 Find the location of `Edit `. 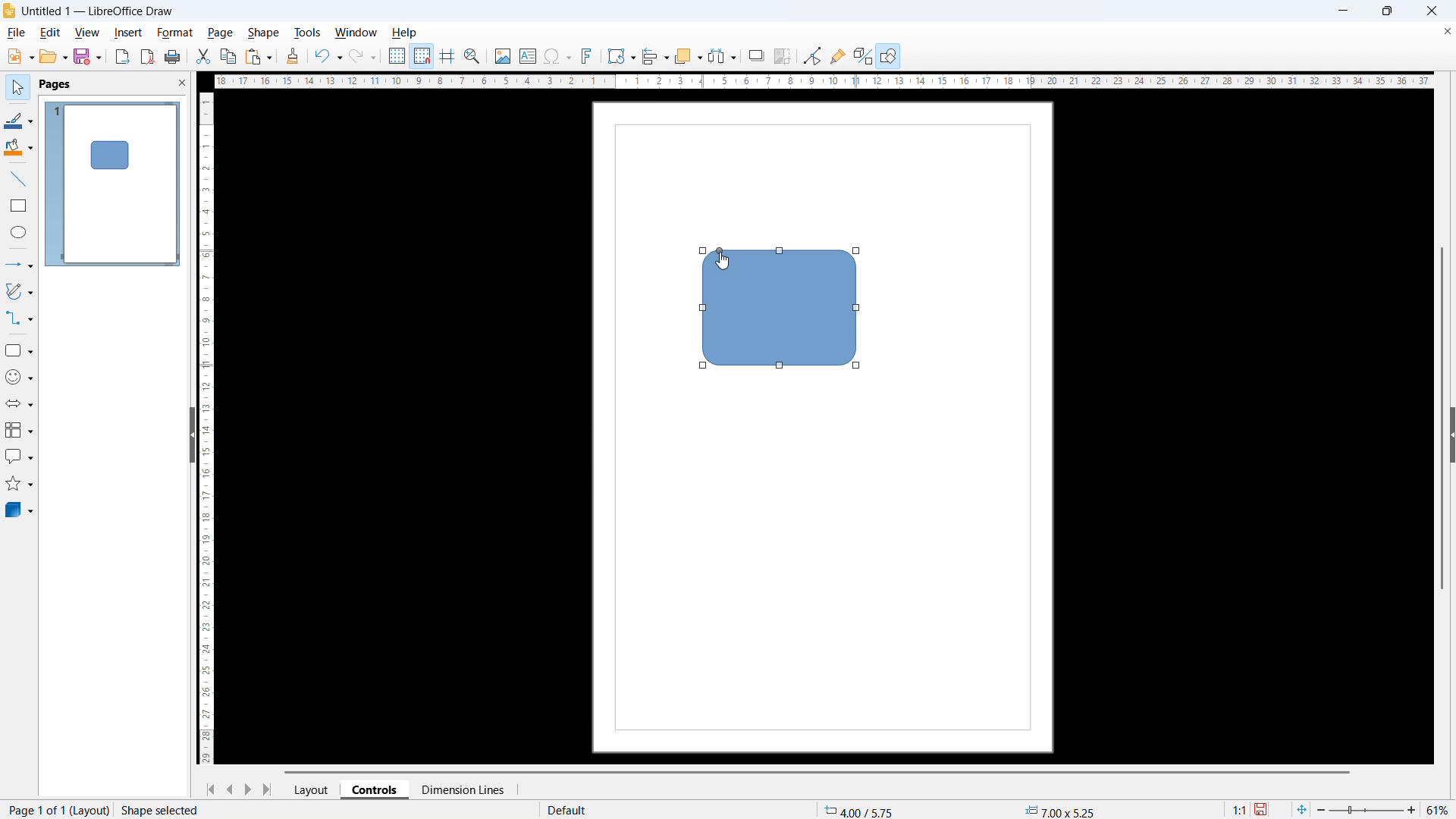

Edit  is located at coordinates (49, 32).